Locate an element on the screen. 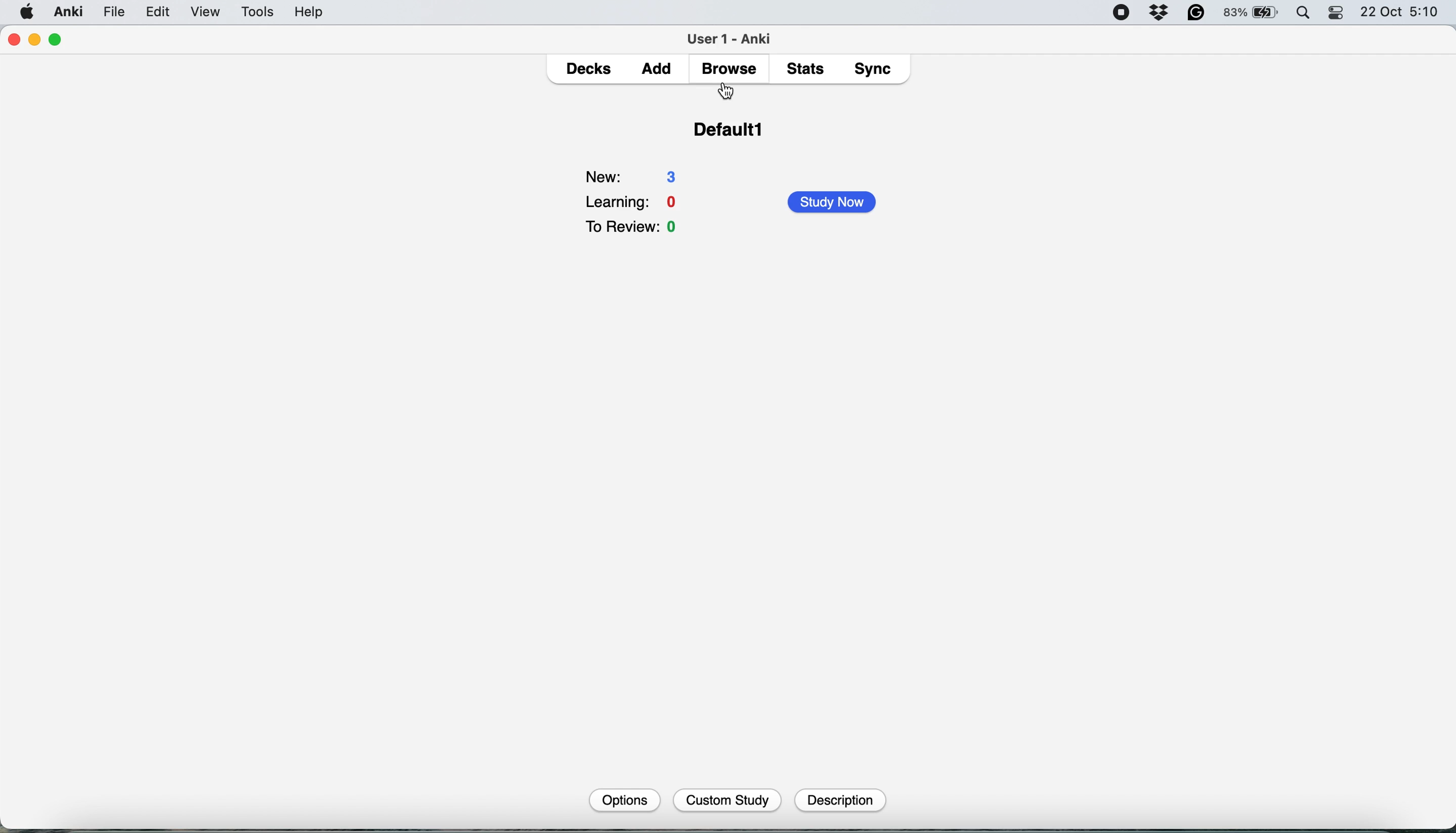 This screenshot has width=1456, height=833. study now is located at coordinates (837, 202).